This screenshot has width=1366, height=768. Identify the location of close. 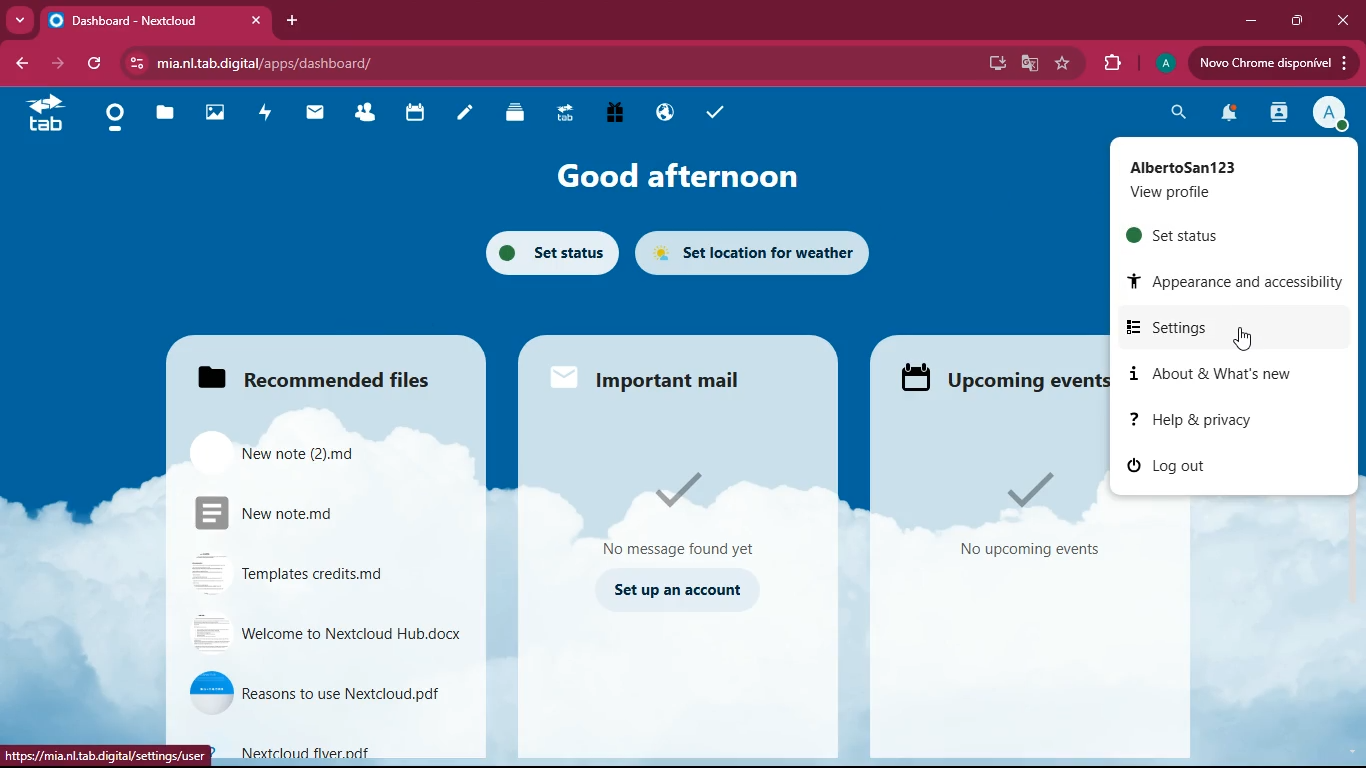
(1340, 20).